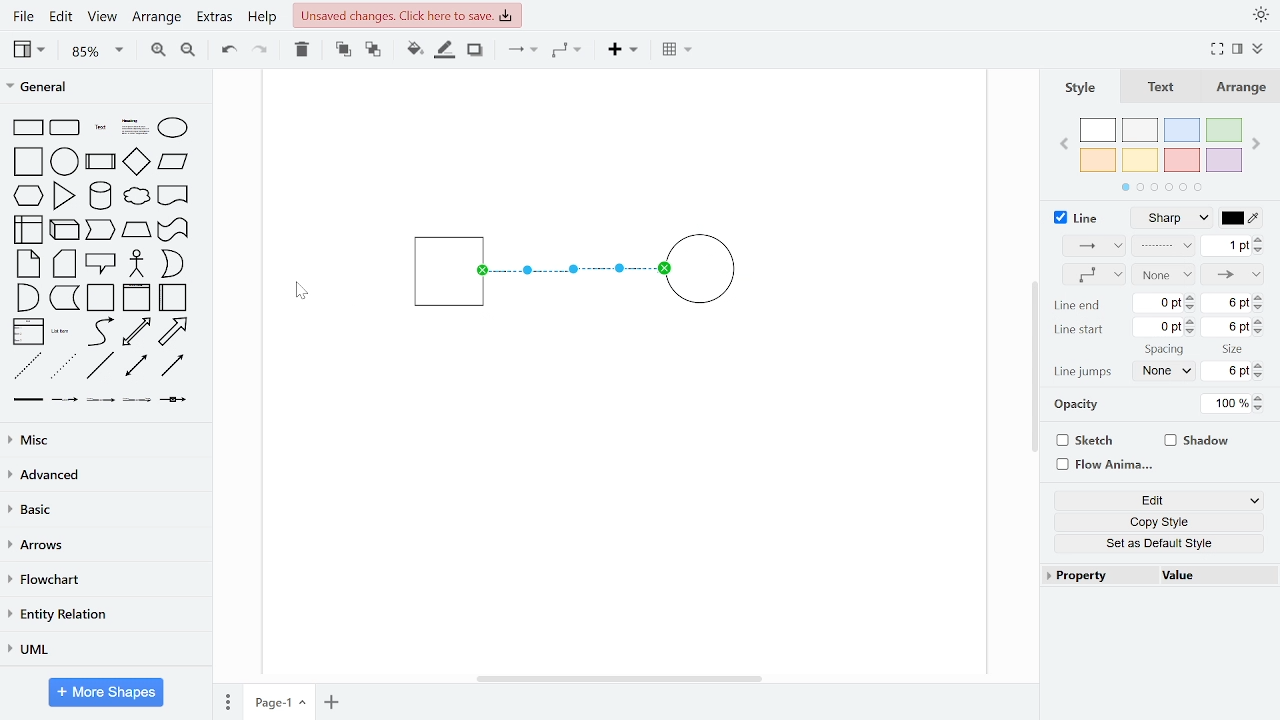 Image resolution: width=1280 pixels, height=720 pixels. I want to click on text, so click(102, 129).